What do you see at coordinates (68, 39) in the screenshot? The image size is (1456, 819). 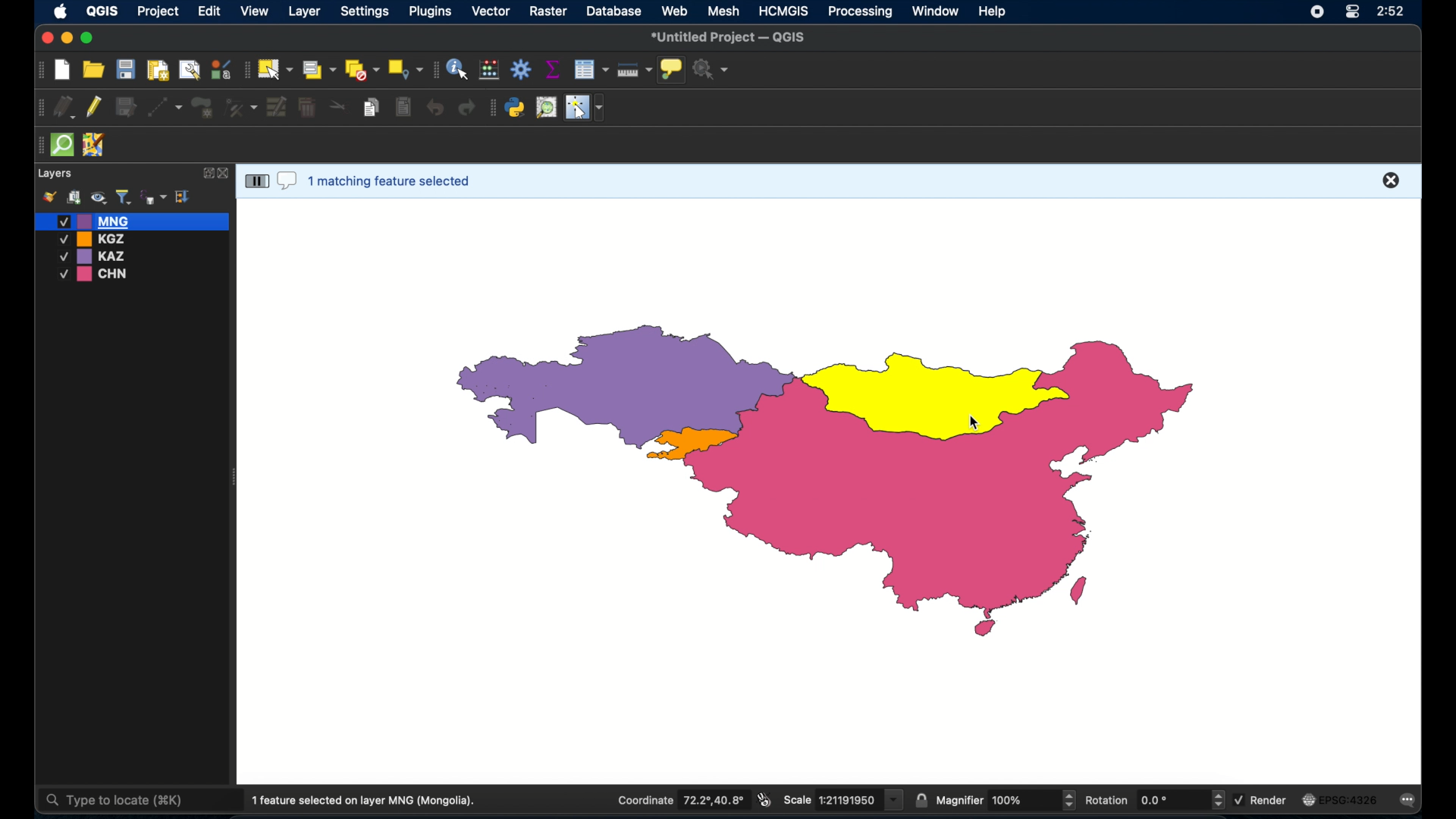 I see `minimize` at bounding box center [68, 39].